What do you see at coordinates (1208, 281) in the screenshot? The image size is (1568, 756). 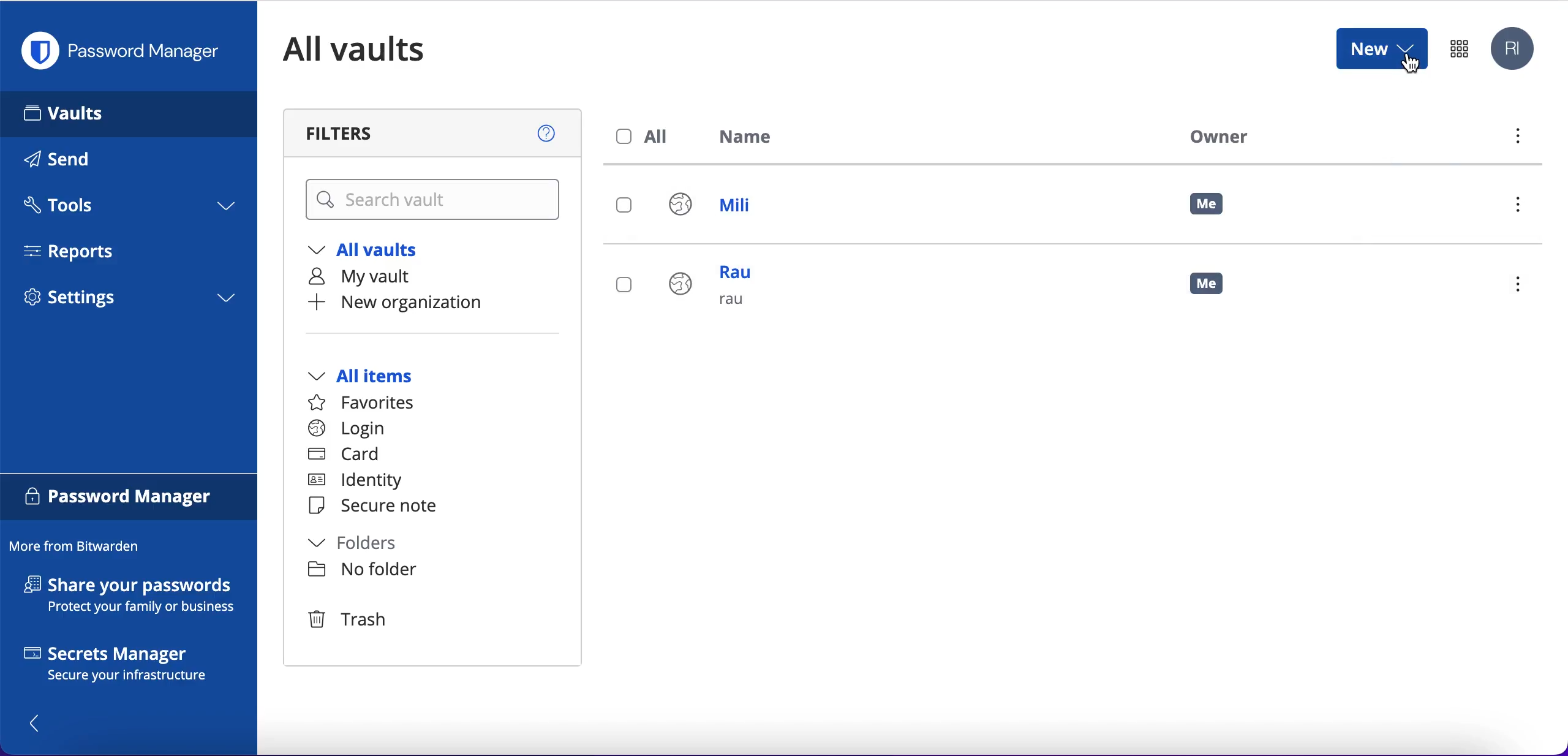 I see `me` at bounding box center [1208, 281].